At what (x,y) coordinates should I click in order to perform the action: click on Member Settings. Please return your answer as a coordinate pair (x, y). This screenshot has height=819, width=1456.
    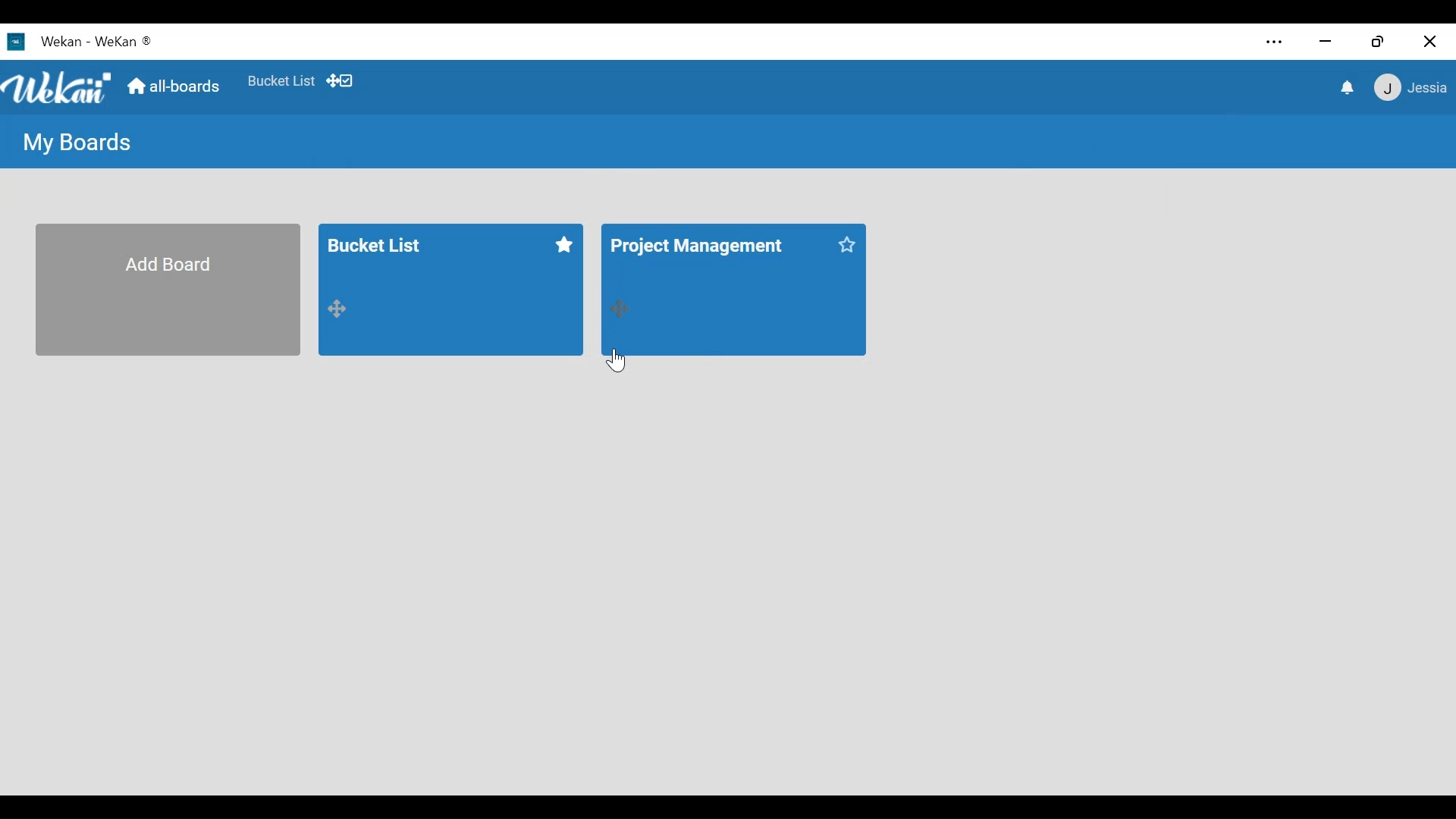
    Looking at the image, I should click on (1412, 89).